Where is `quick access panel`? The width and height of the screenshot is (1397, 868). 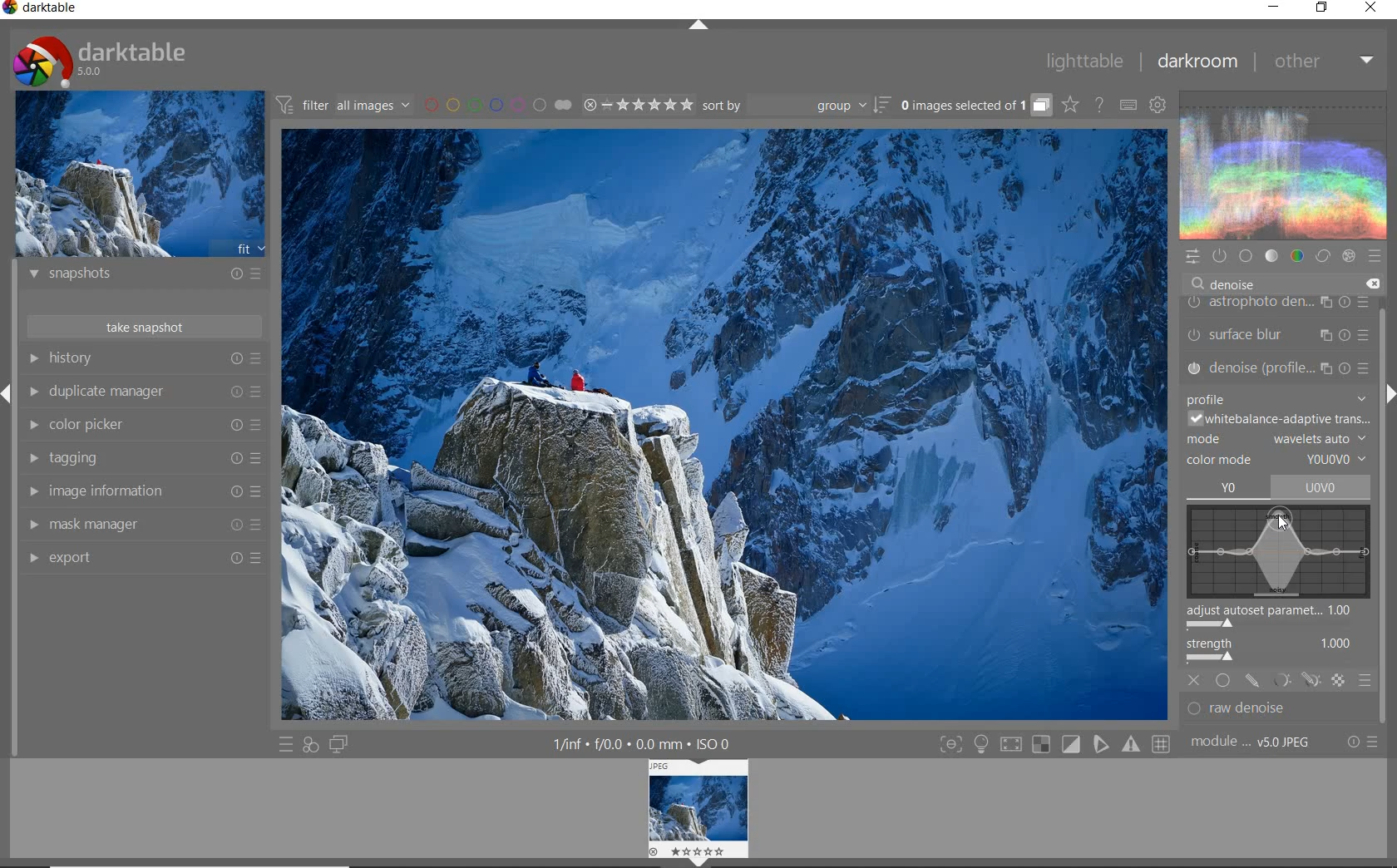 quick access panel is located at coordinates (1191, 257).